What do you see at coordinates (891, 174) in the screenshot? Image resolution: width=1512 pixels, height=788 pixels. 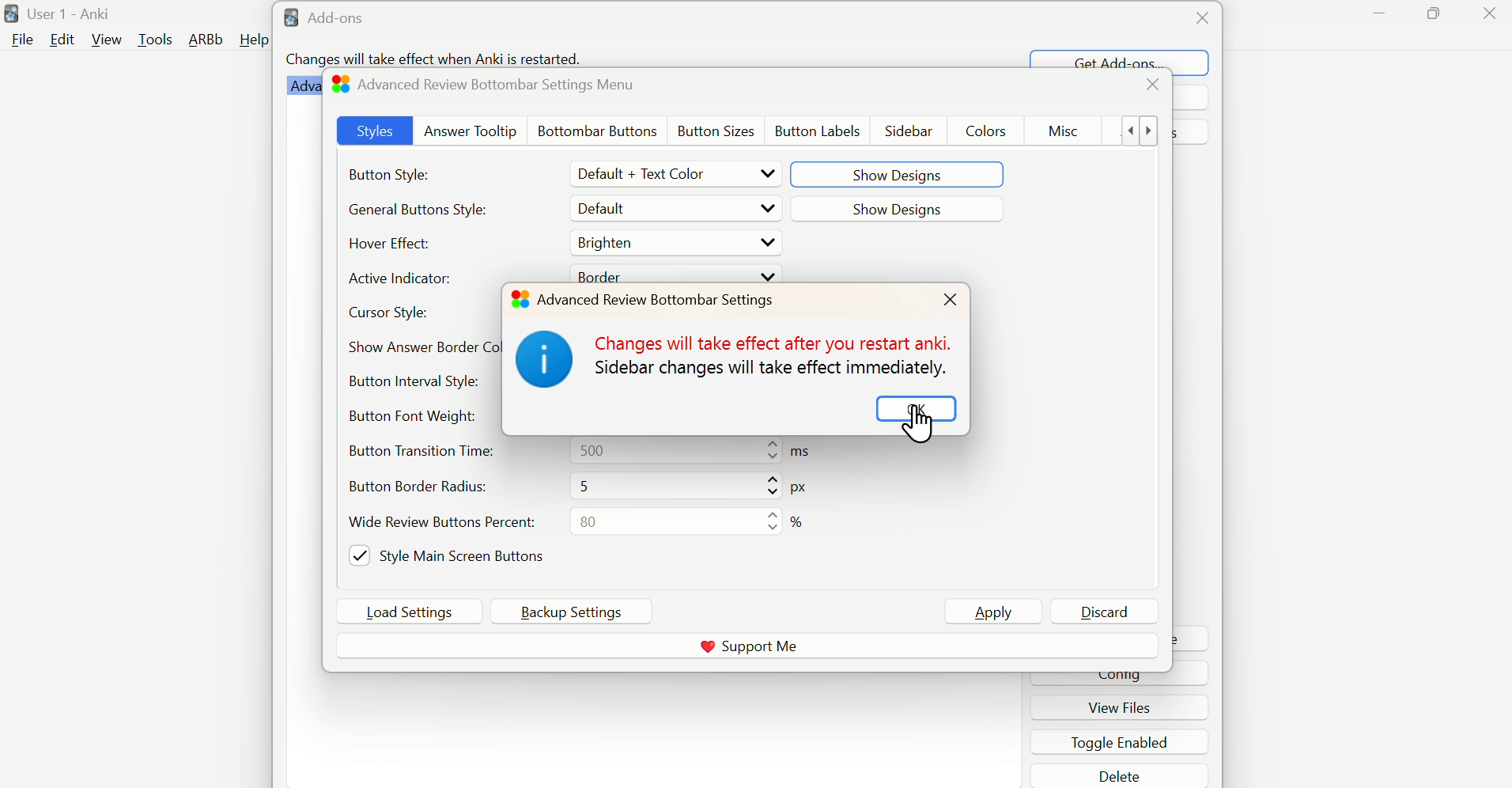 I see `Show Designs` at bounding box center [891, 174].